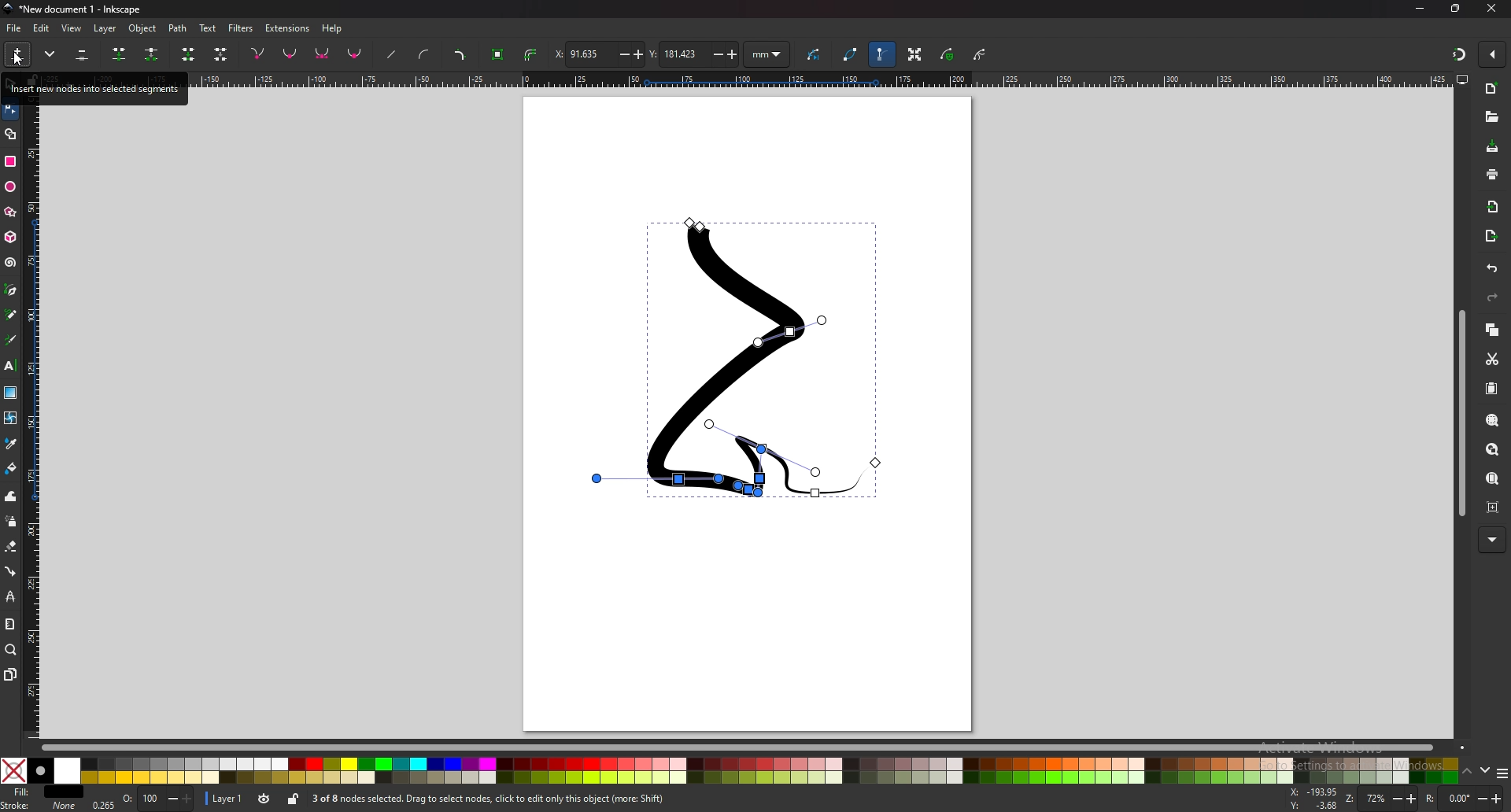 This screenshot has width=1511, height=812. What do you see at coordinates (207, 28) in the screenshot?
I see `text` at bounding box center [207, 28].